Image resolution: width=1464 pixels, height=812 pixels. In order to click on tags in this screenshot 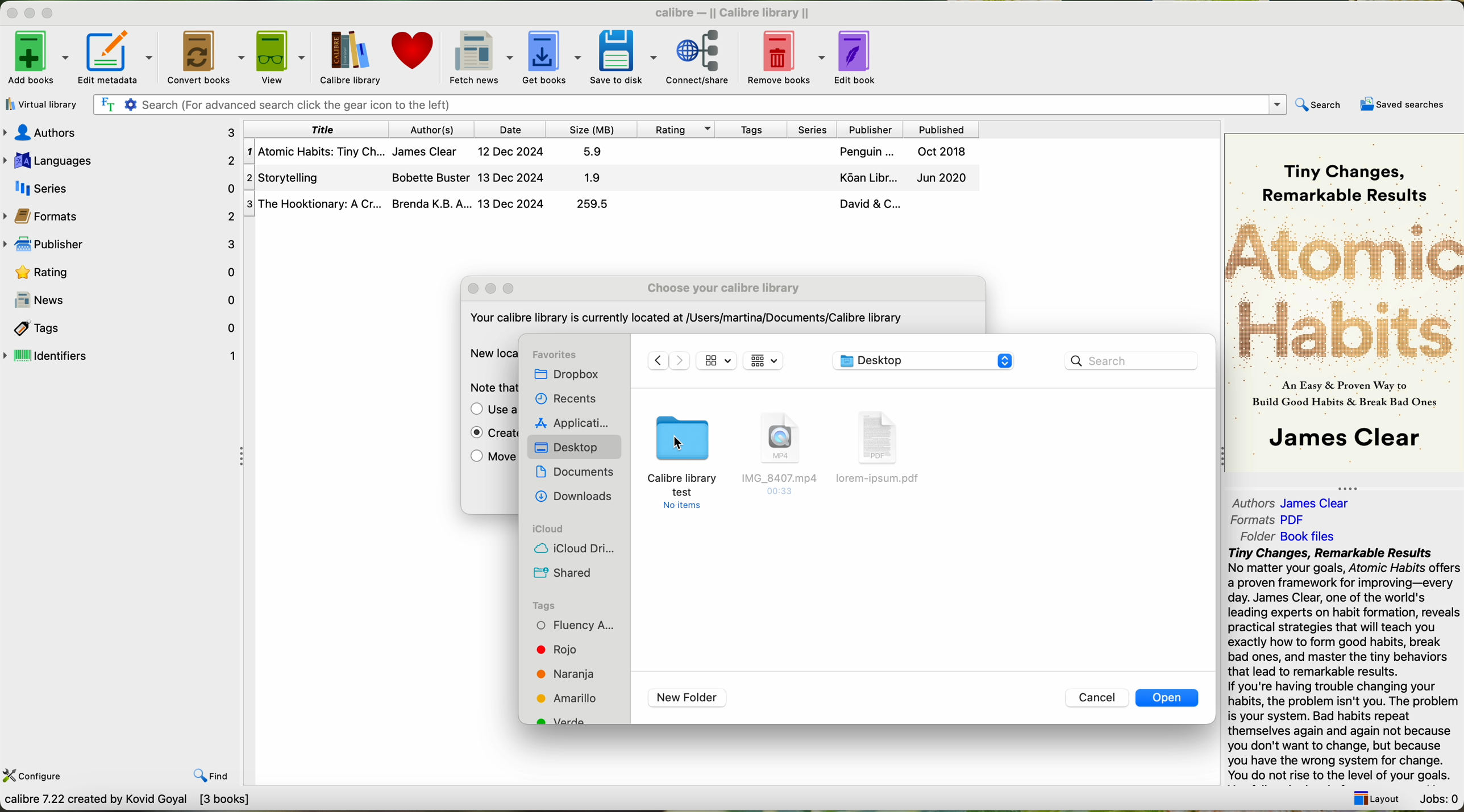, I will do `click(749, 128)`.